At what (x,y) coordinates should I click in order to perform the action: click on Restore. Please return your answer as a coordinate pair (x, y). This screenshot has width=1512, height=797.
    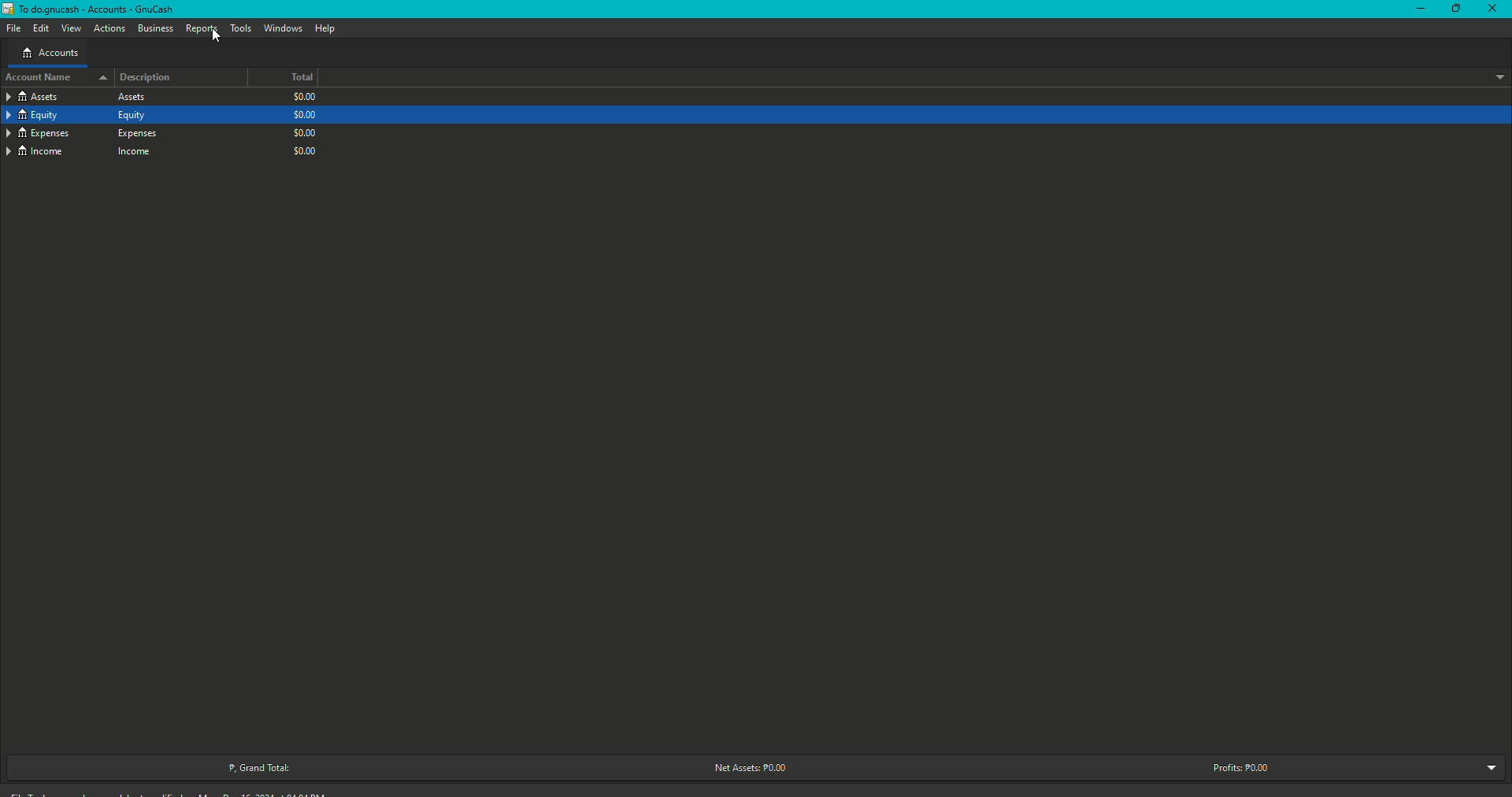
    Looking at the image, I should click on (1417, 11).